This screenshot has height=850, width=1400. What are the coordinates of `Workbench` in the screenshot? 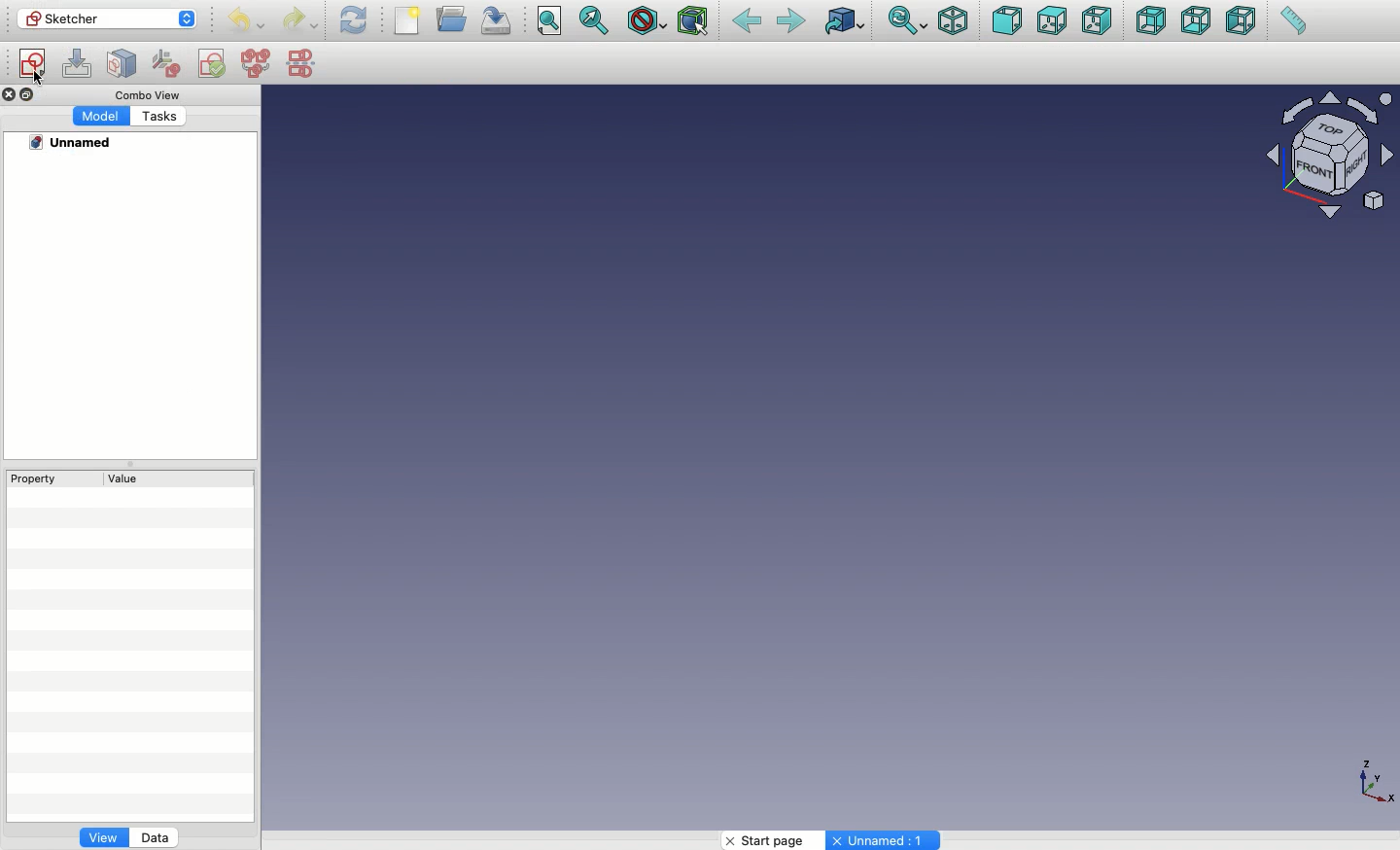 It's located at (107, 19).